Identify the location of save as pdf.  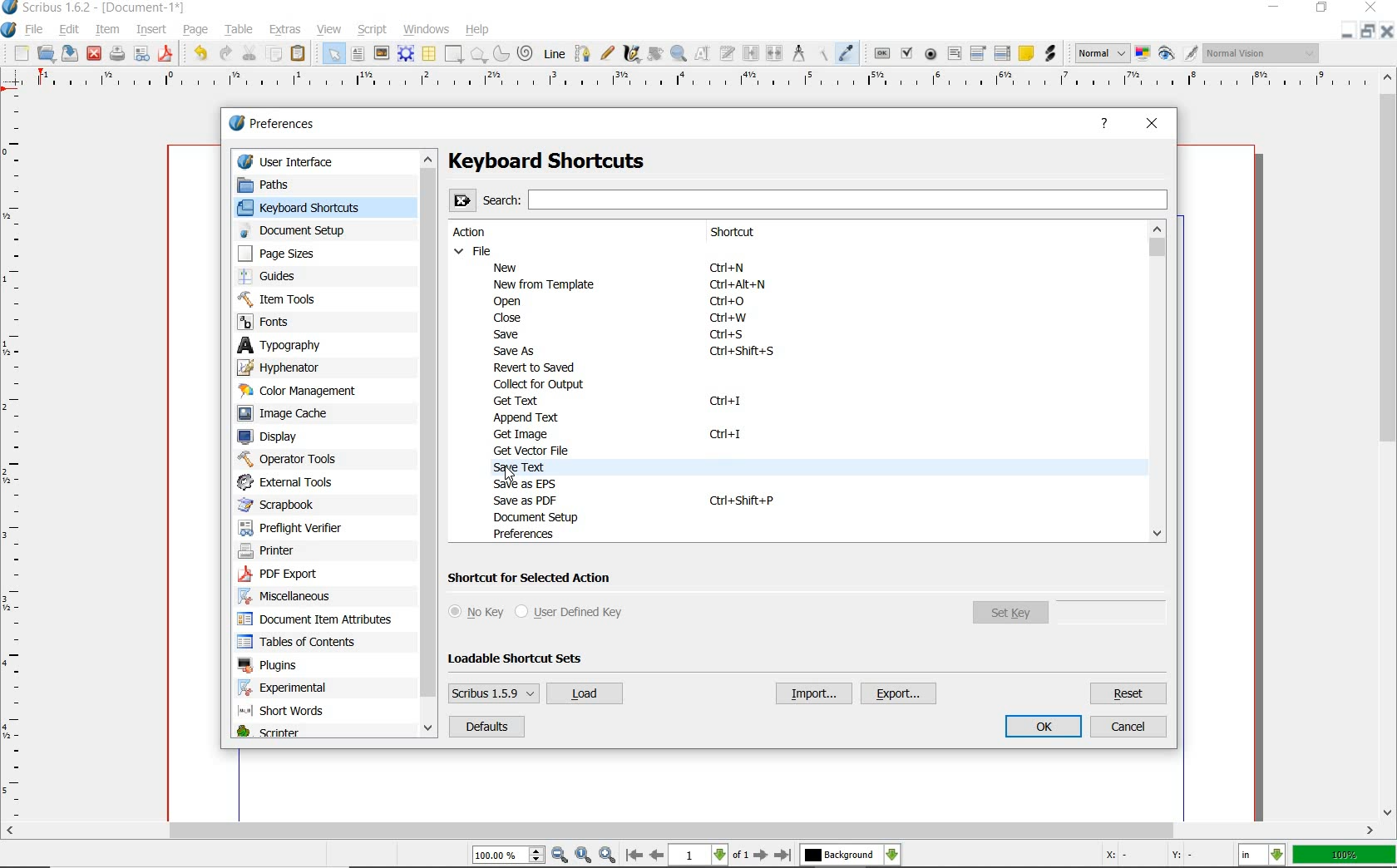
(530, 501).